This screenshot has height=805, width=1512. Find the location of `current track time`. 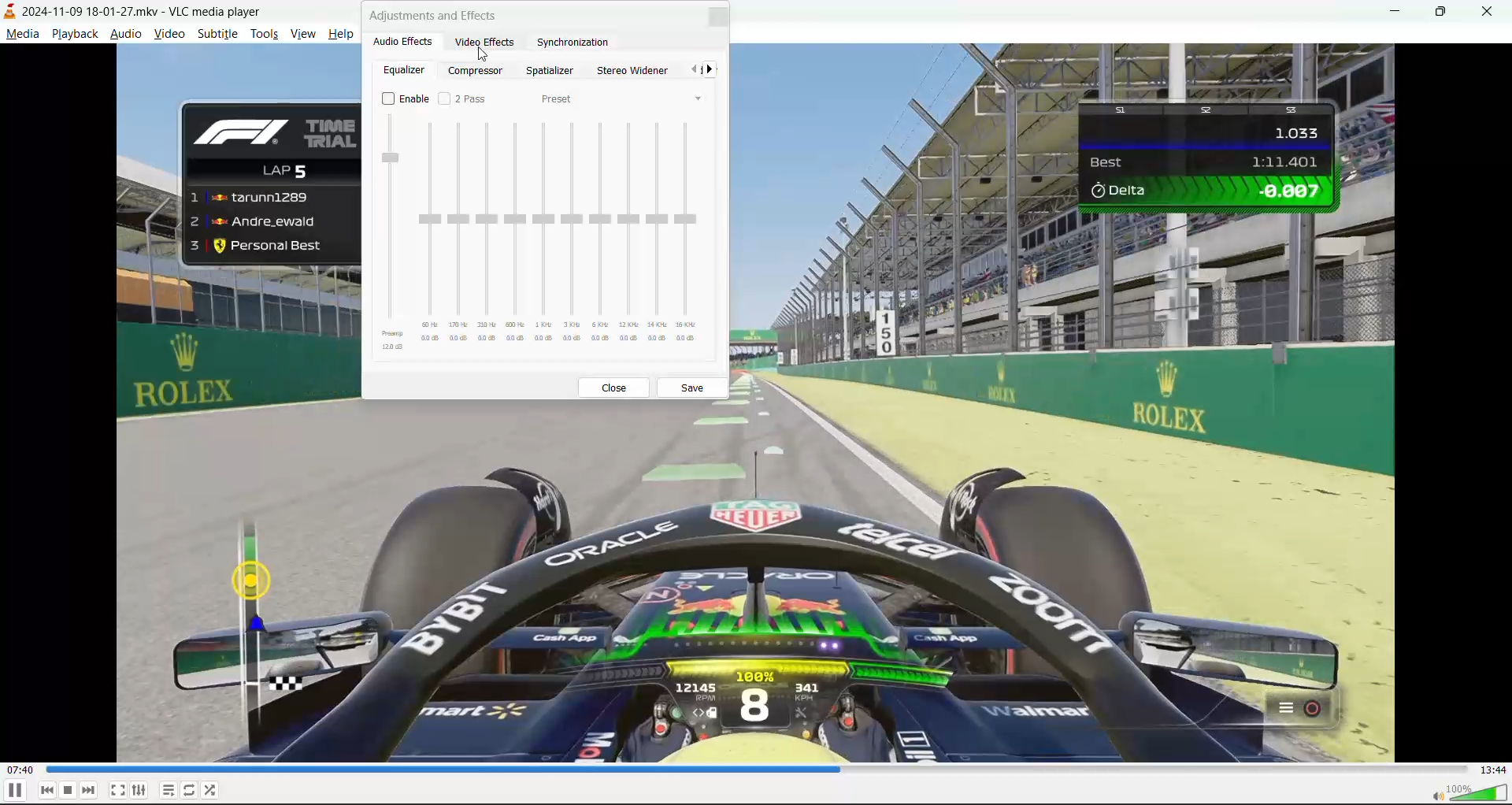

current track time is located at coordinates (23, 770).